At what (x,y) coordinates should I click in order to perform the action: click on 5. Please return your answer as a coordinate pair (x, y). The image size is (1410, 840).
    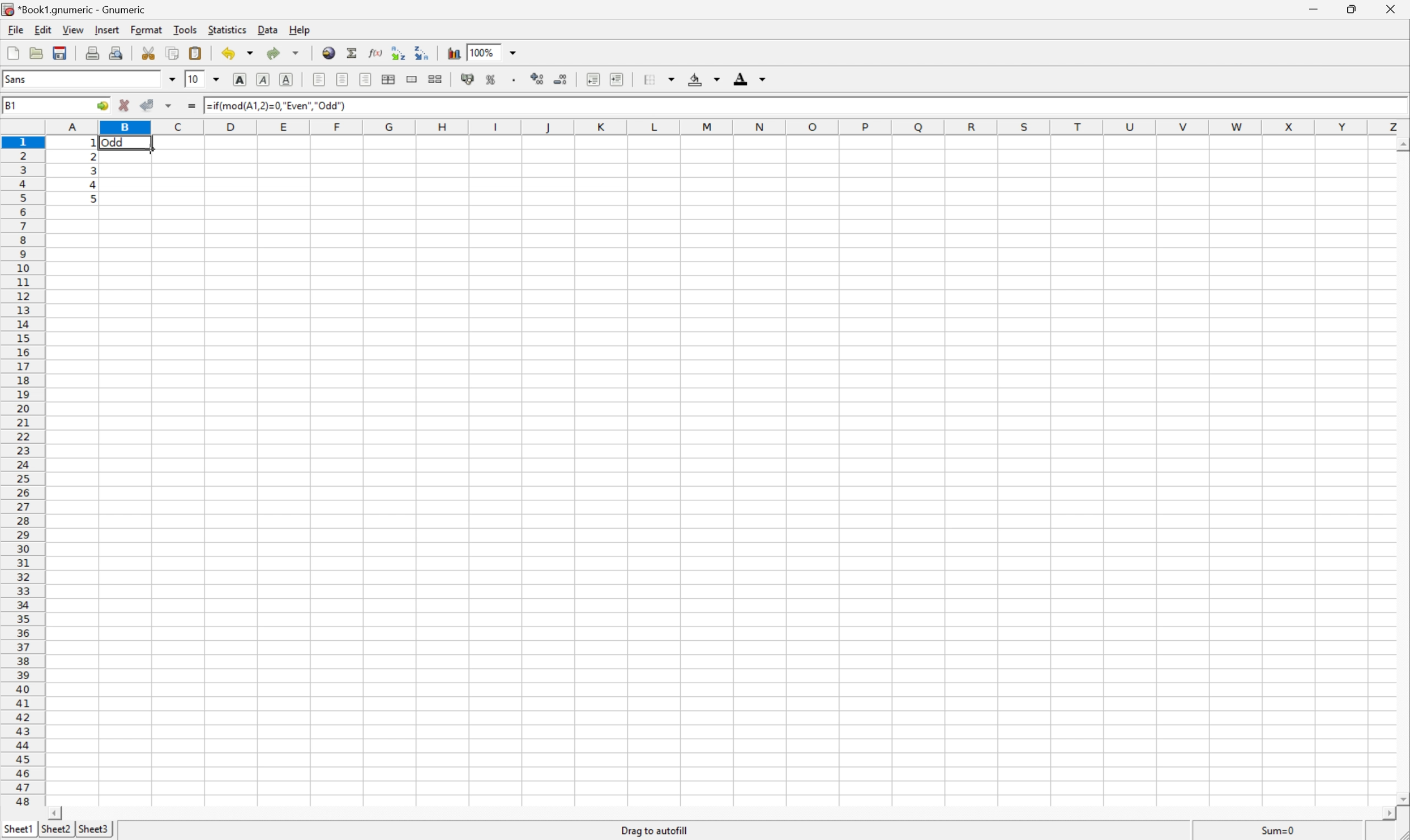
    Looking at the image, I should click on (95, 199).